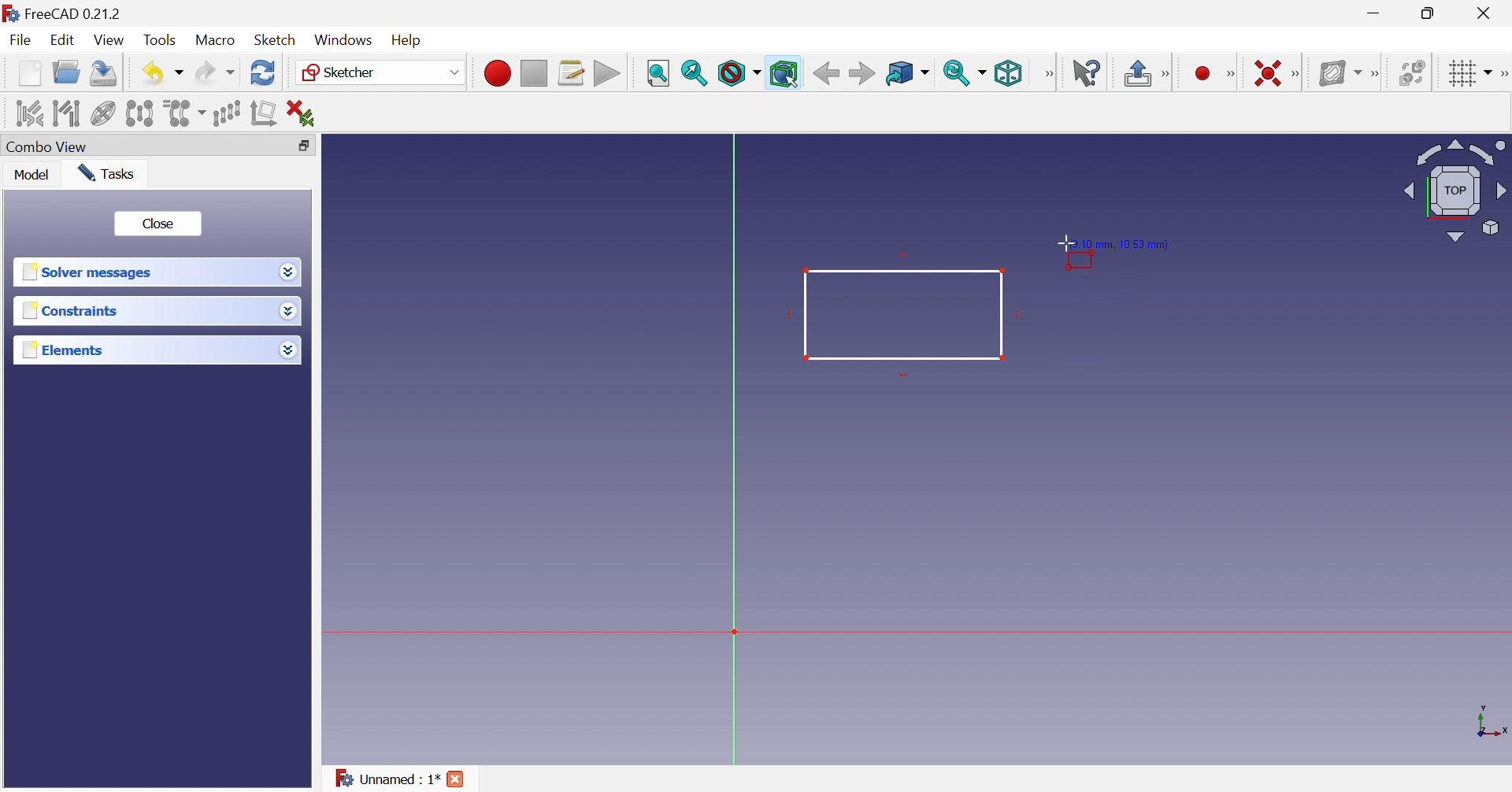 This screenshot has height=792, width=1512. I want to click on Restore down, so click(1432, 13).